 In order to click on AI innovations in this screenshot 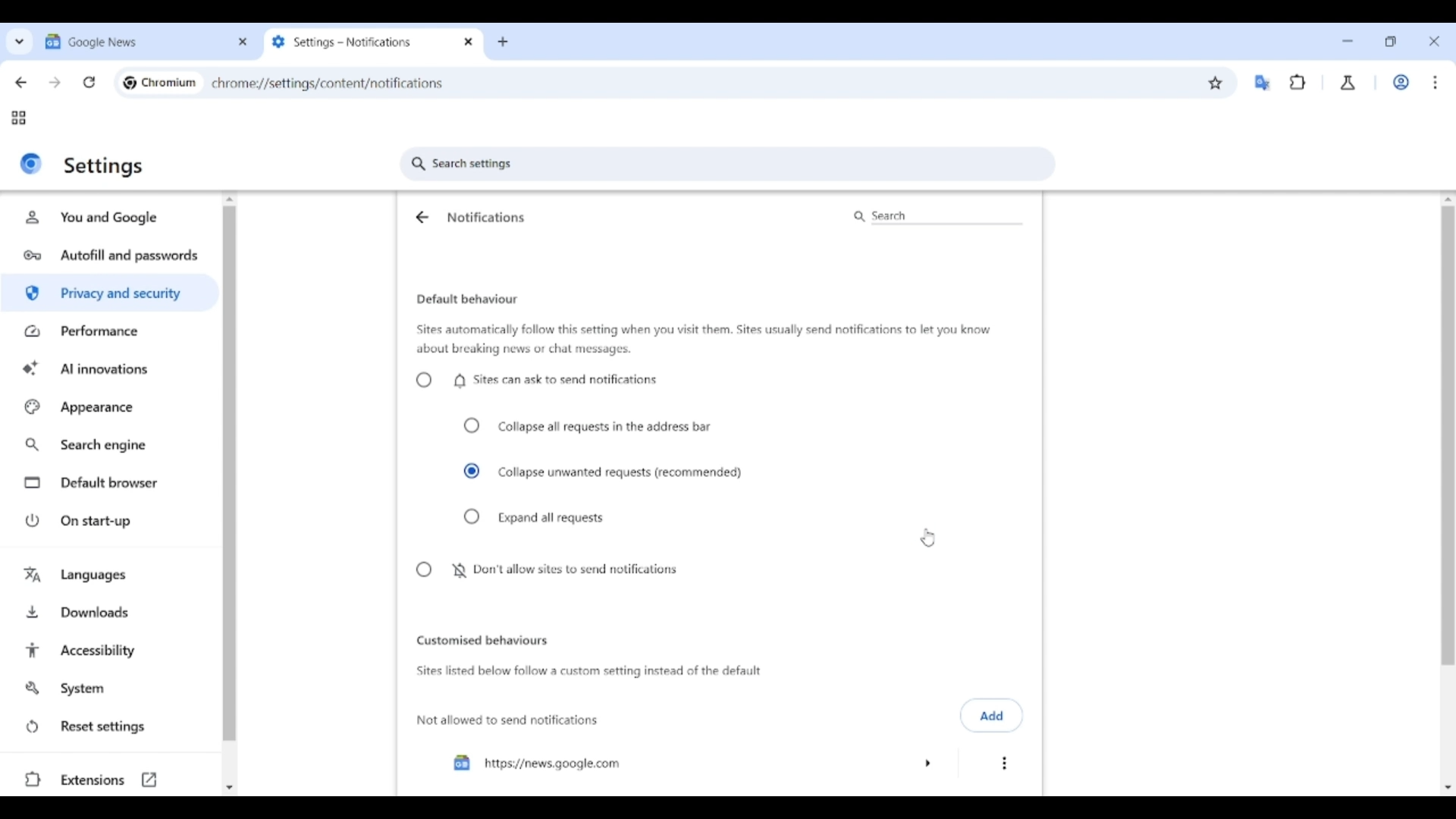, I will do `click(111, 367)`.